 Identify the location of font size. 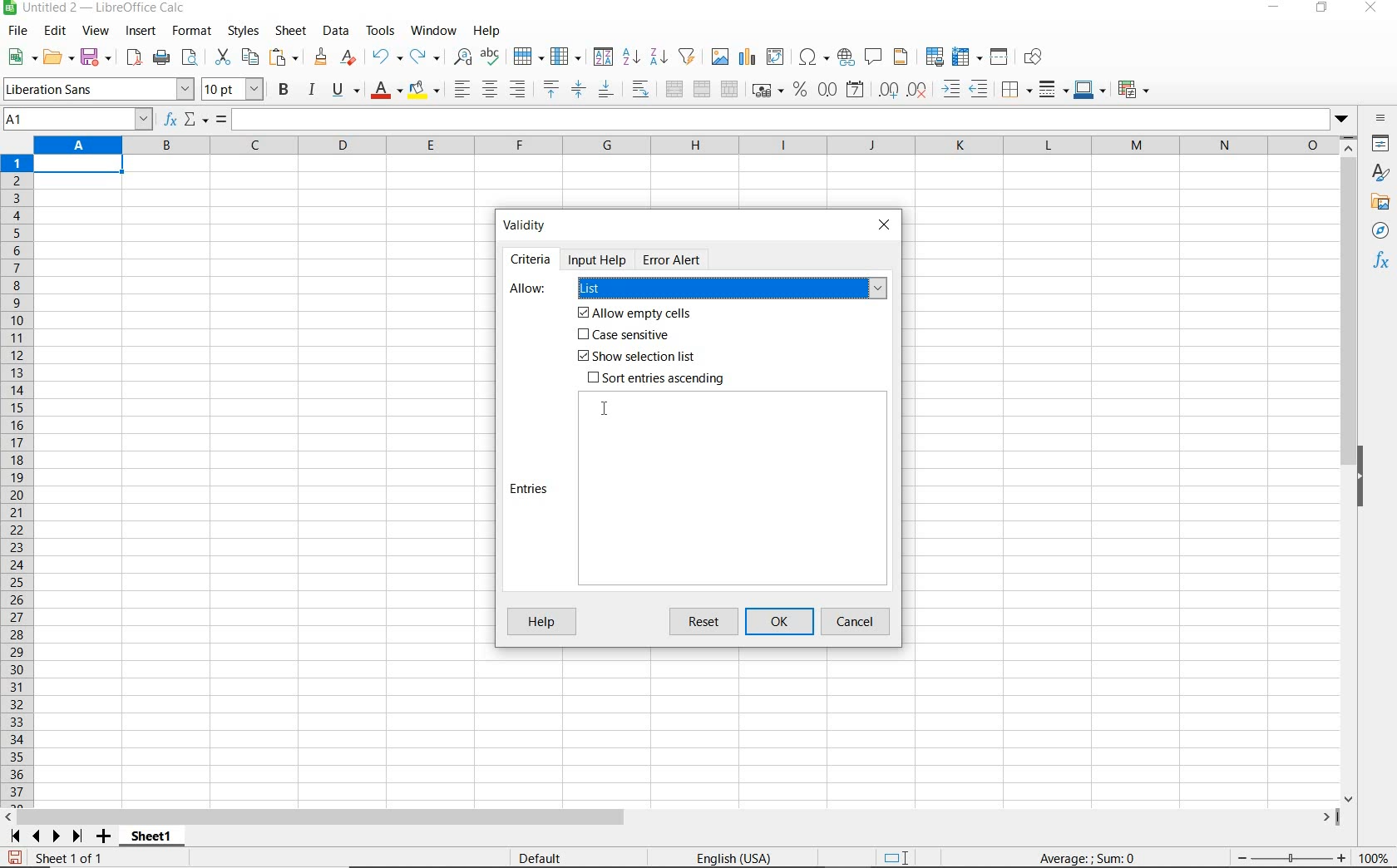
(233, 89).